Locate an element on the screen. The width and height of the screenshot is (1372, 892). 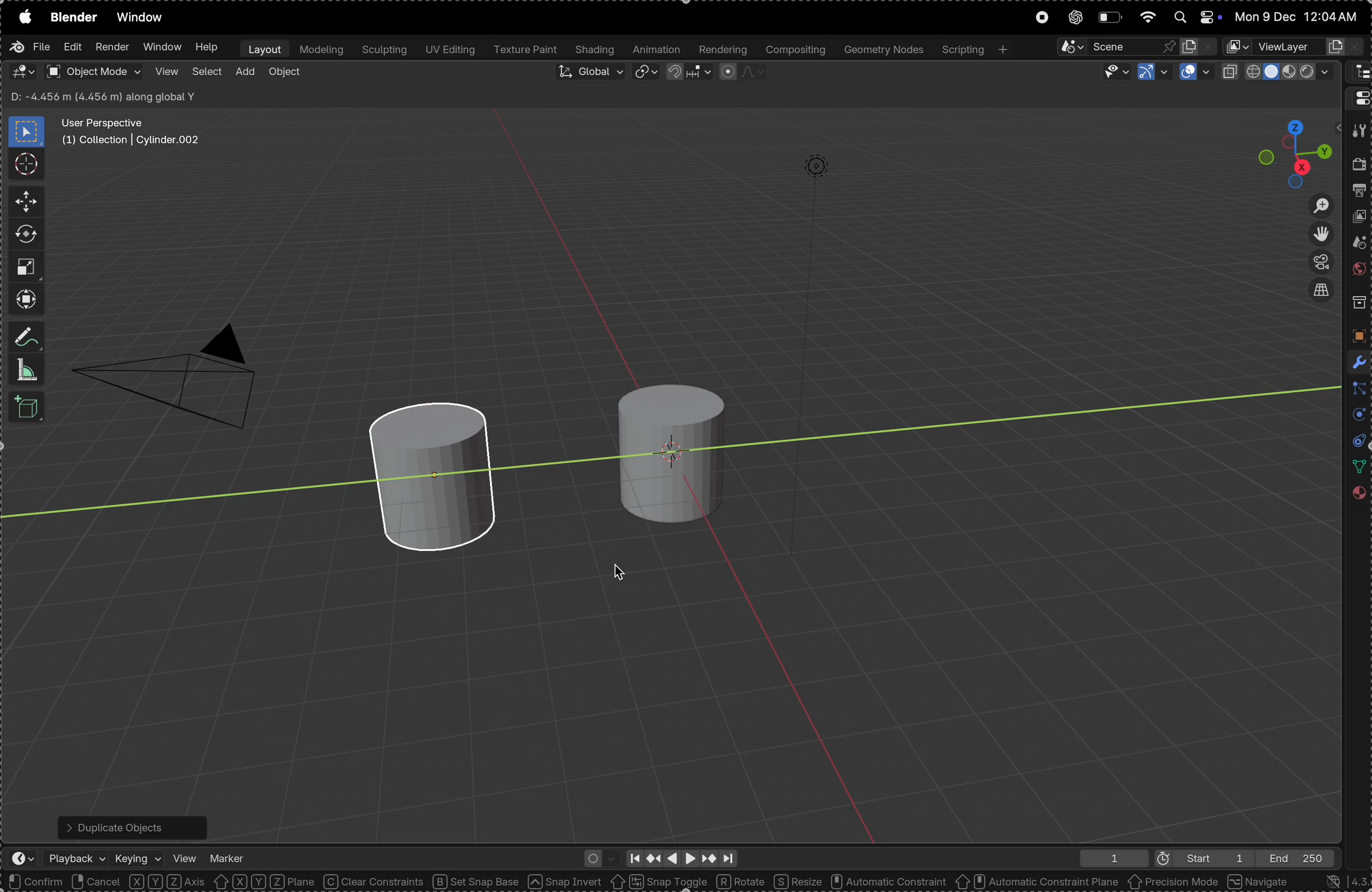
automatic constraint pane is located at coordinates (1036, 882).